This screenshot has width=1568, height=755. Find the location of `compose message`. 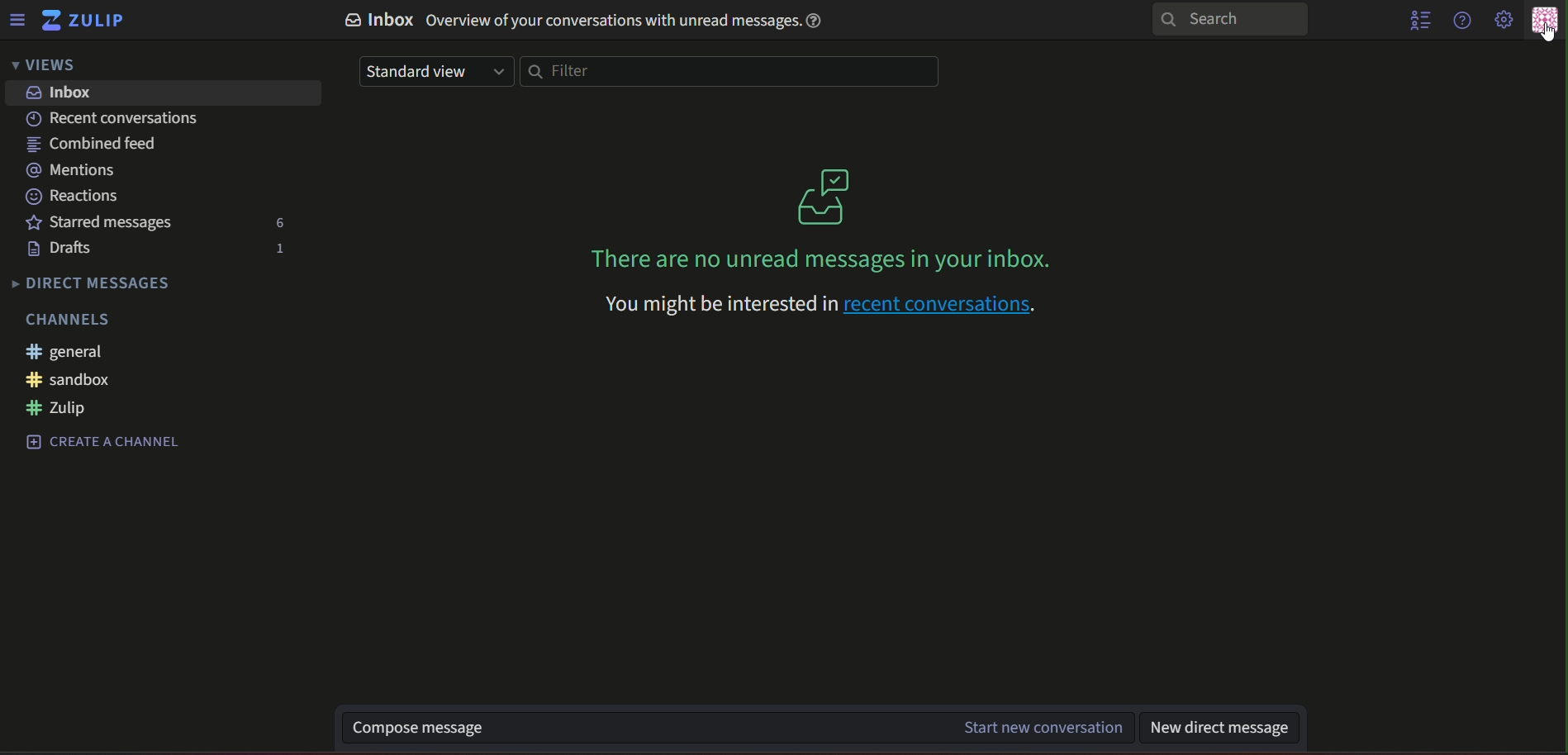

compose message is located at coordinates (738, 727).